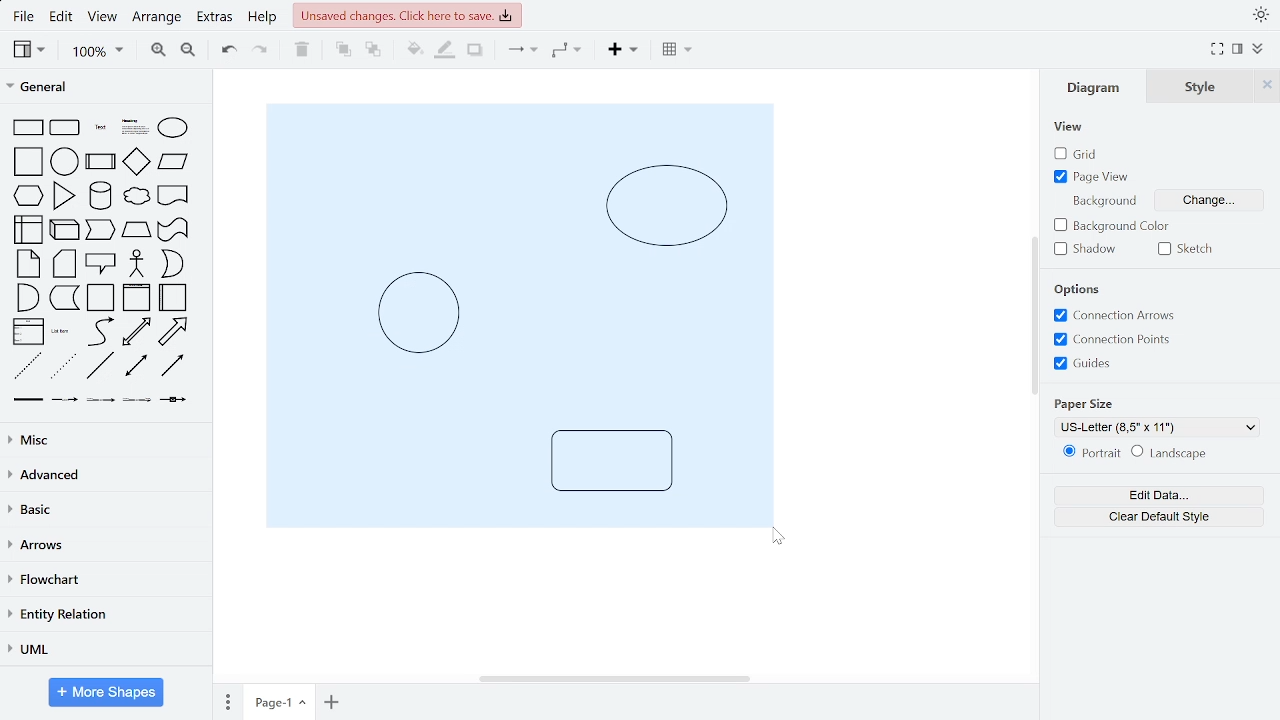 The width and height of the screenshot is (1280, 720). What do you see at coordinates (1158, 515) in the screenshot?
I see `clear default style` at bounding box center [1158, 515].